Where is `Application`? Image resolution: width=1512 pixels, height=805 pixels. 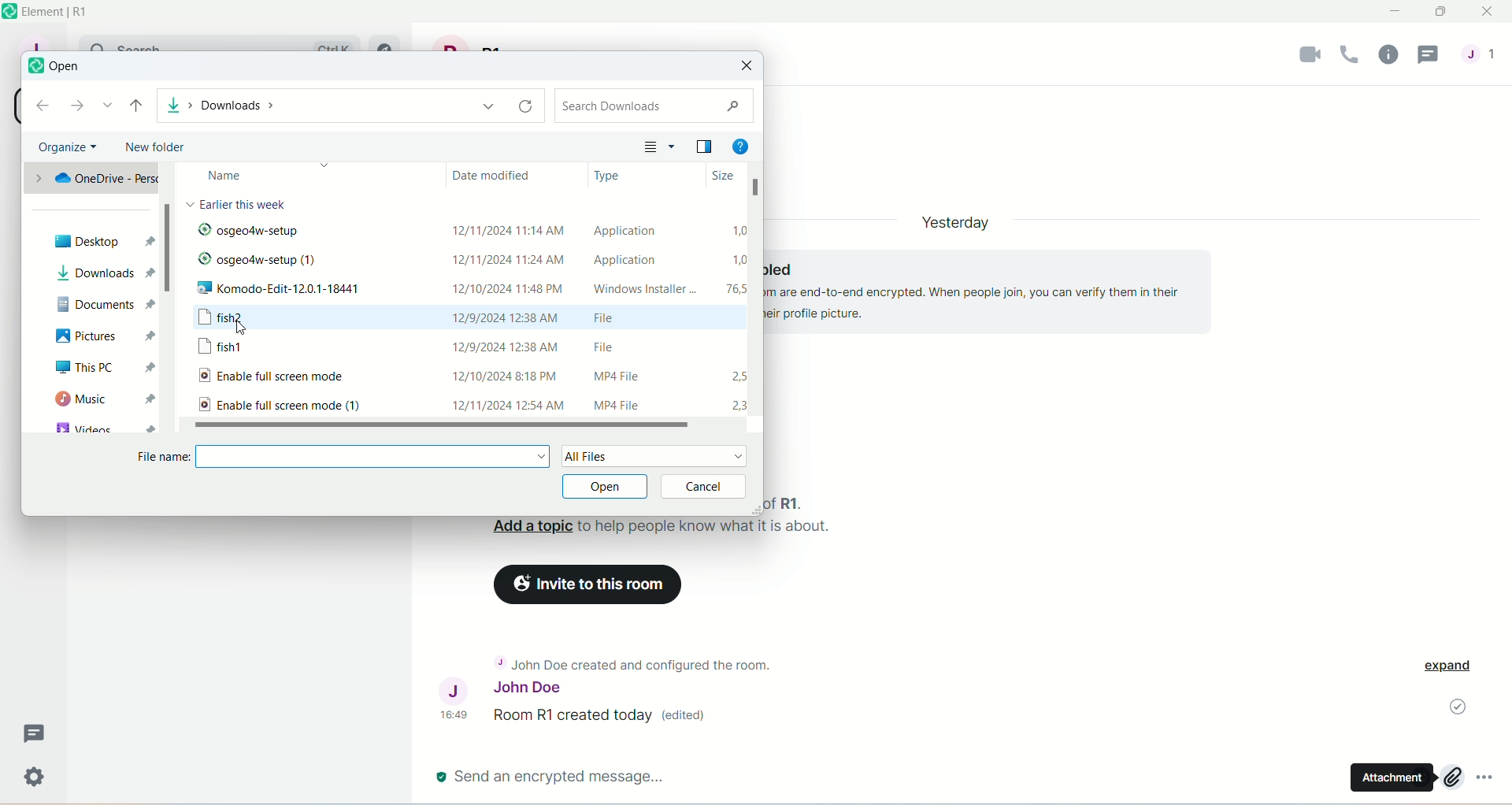
Application is located at coordinates (624, 259).